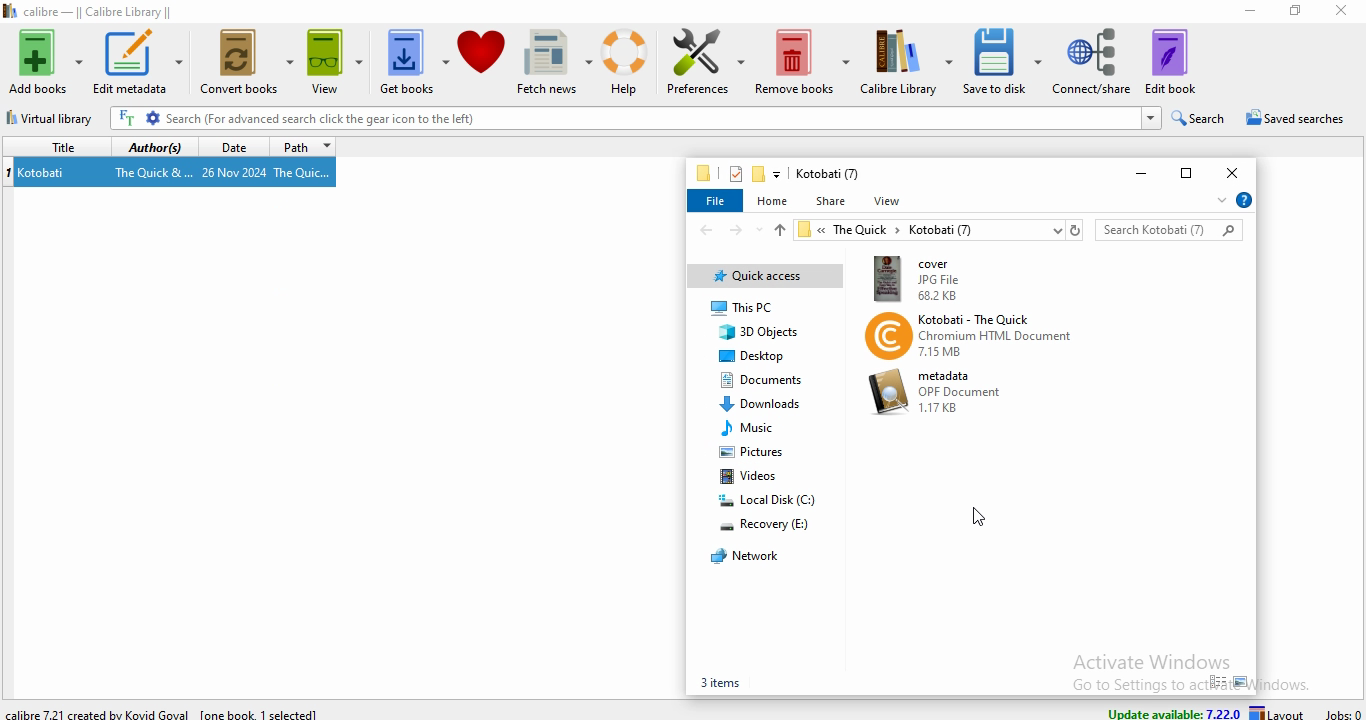 The height and width of the screenshot is (720, 1366). What do you see at coordinates (1075, 229) in the screenshot?
I see `refresh` at bounding box center [1075, 229].